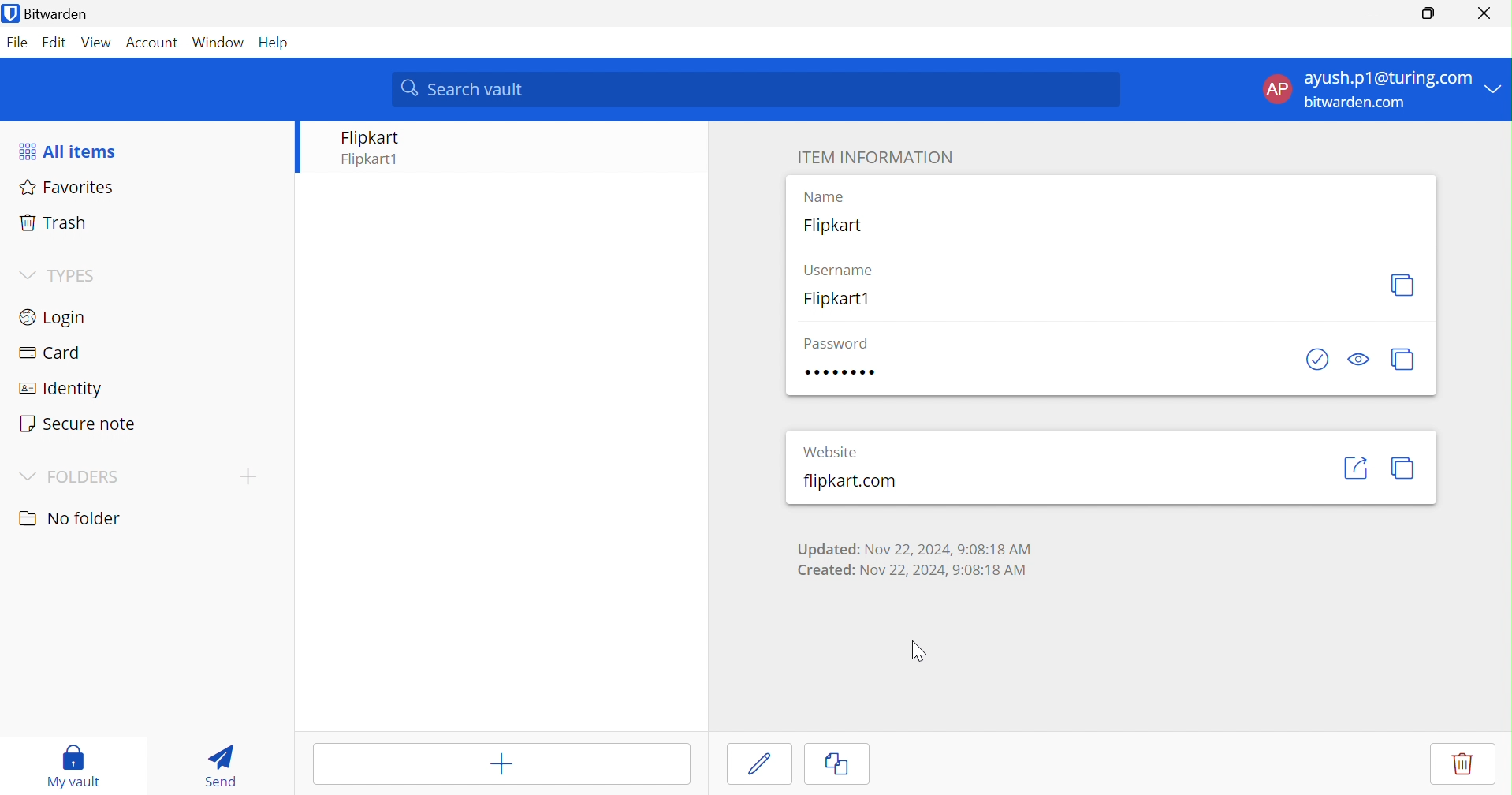 This screenshot has height=795, width=1512. I want to click on Bitwarden, so click(58, 15).